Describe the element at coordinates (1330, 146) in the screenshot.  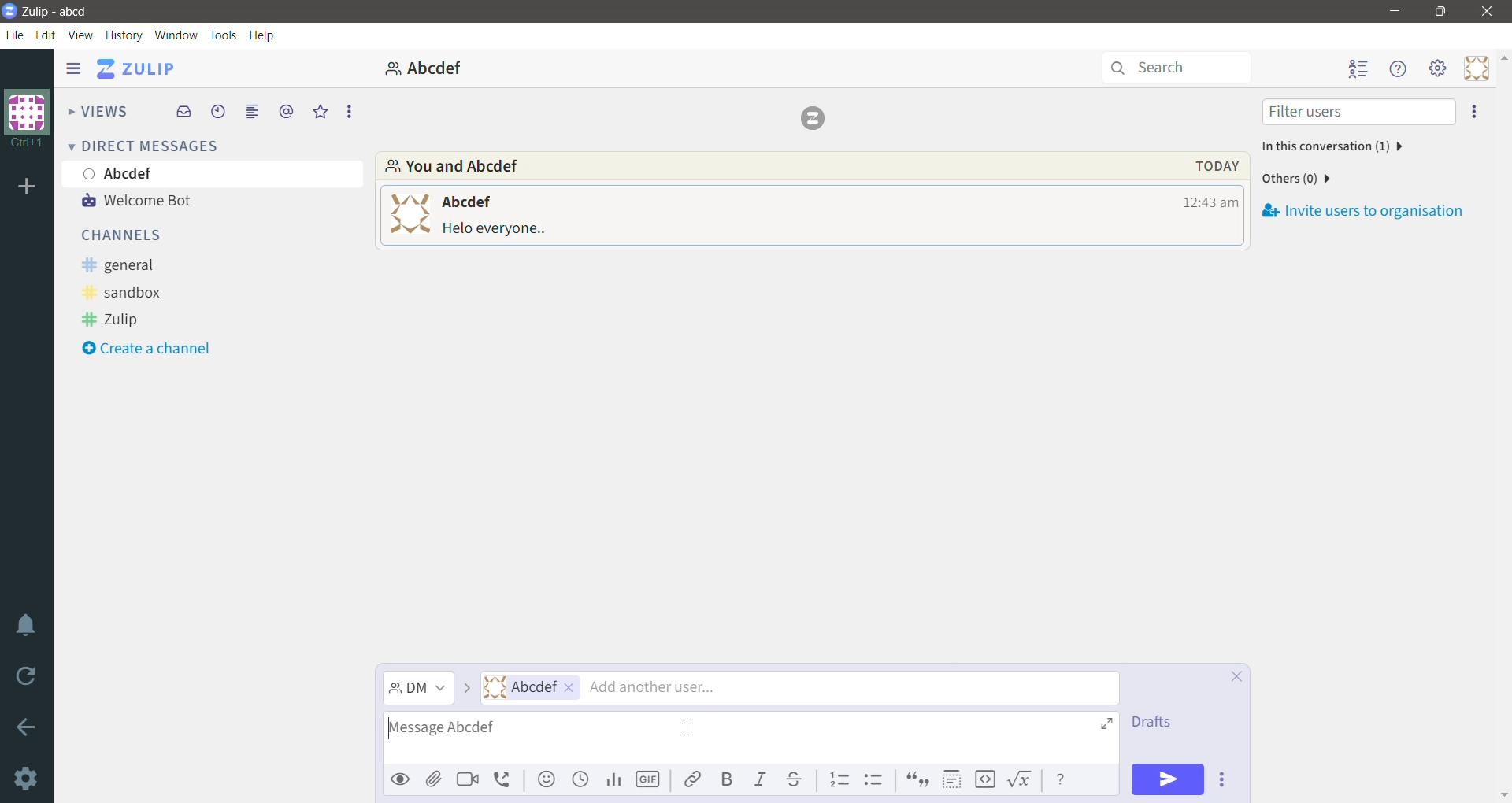
I see `Participants in this conversation` at that location.